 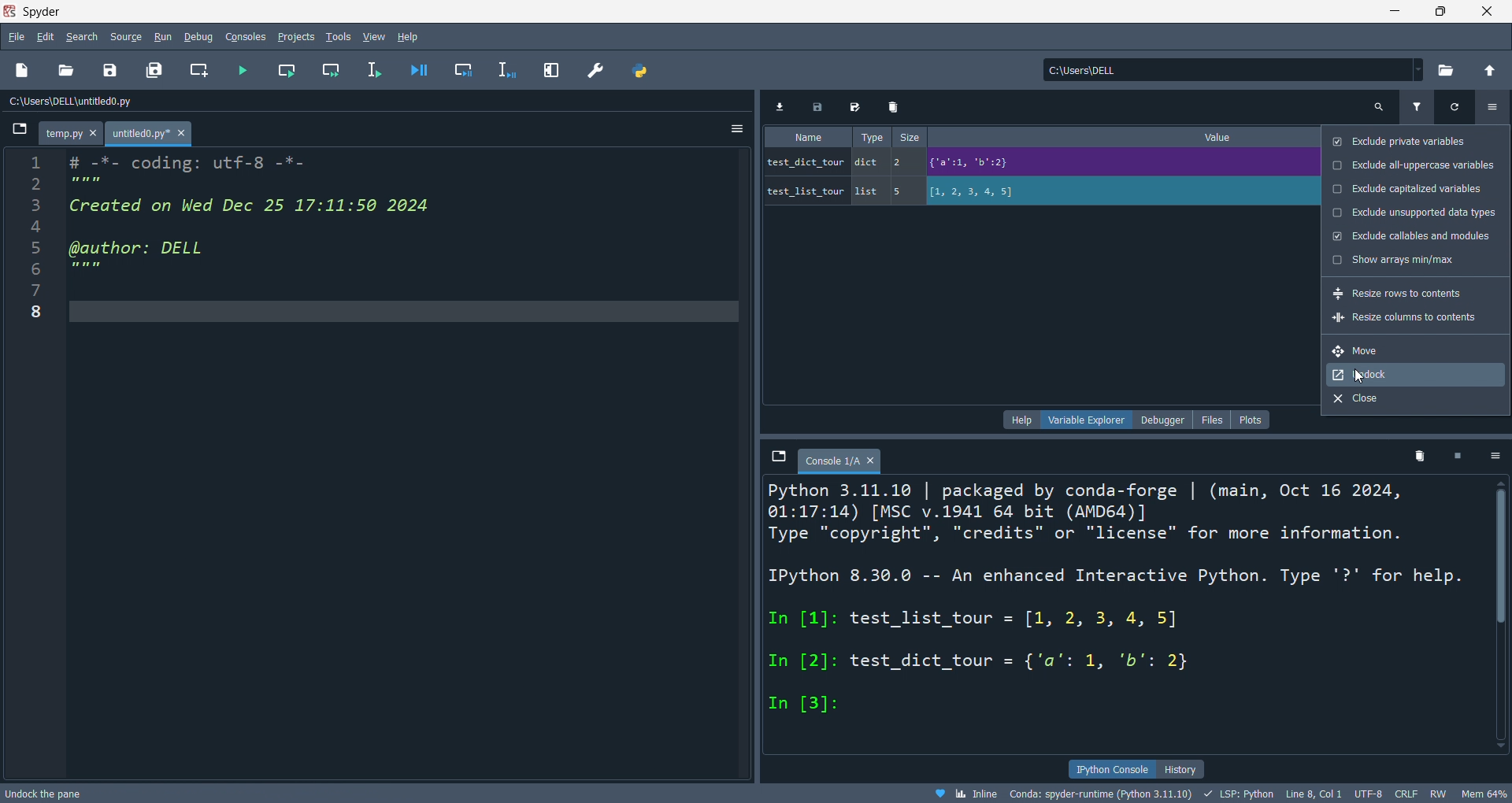 I want to click on close kernel, so click(x=1459, y=457).